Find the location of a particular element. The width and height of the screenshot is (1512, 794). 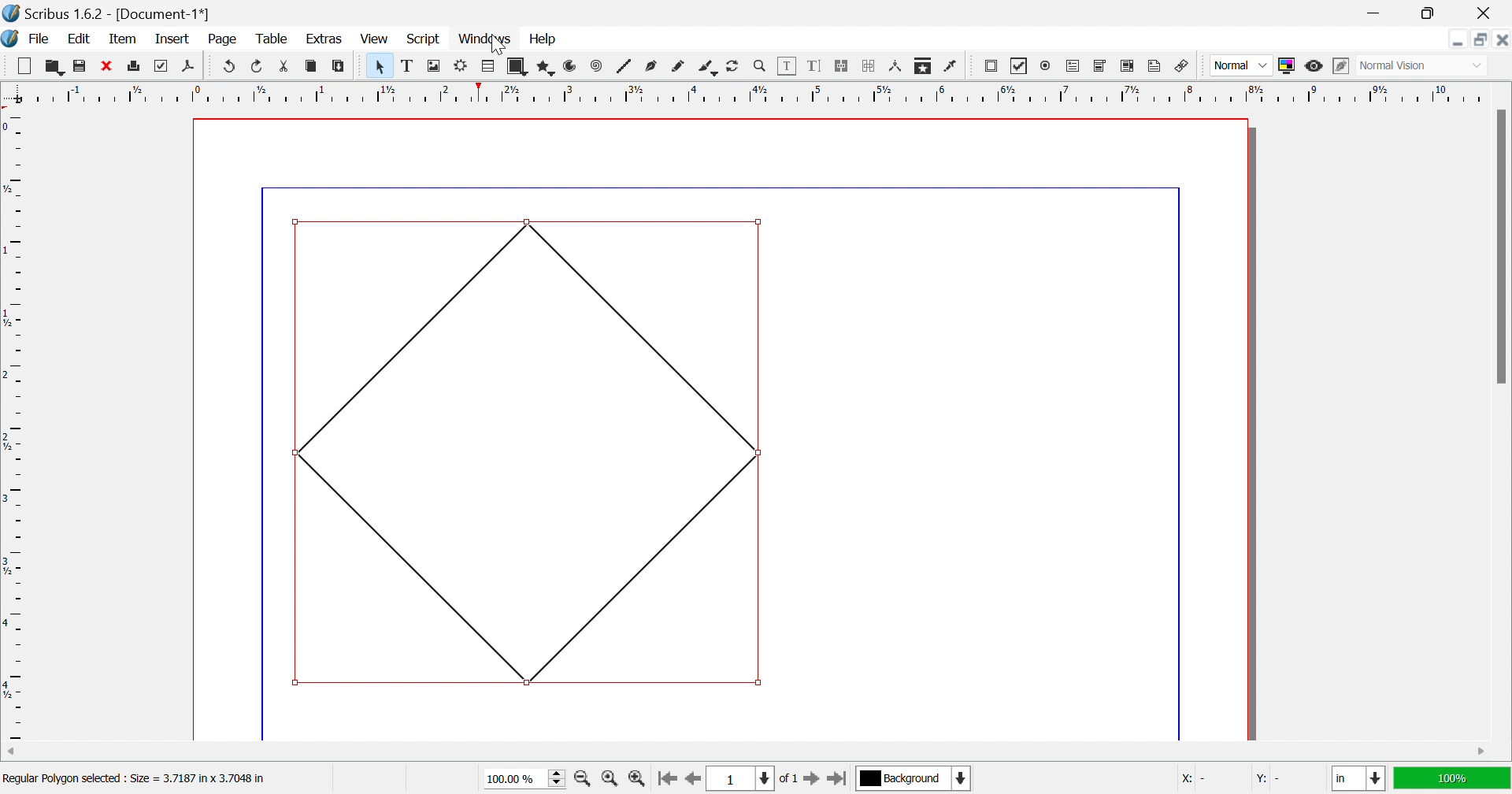

Scribus icon is located at coordinates (9, 39).